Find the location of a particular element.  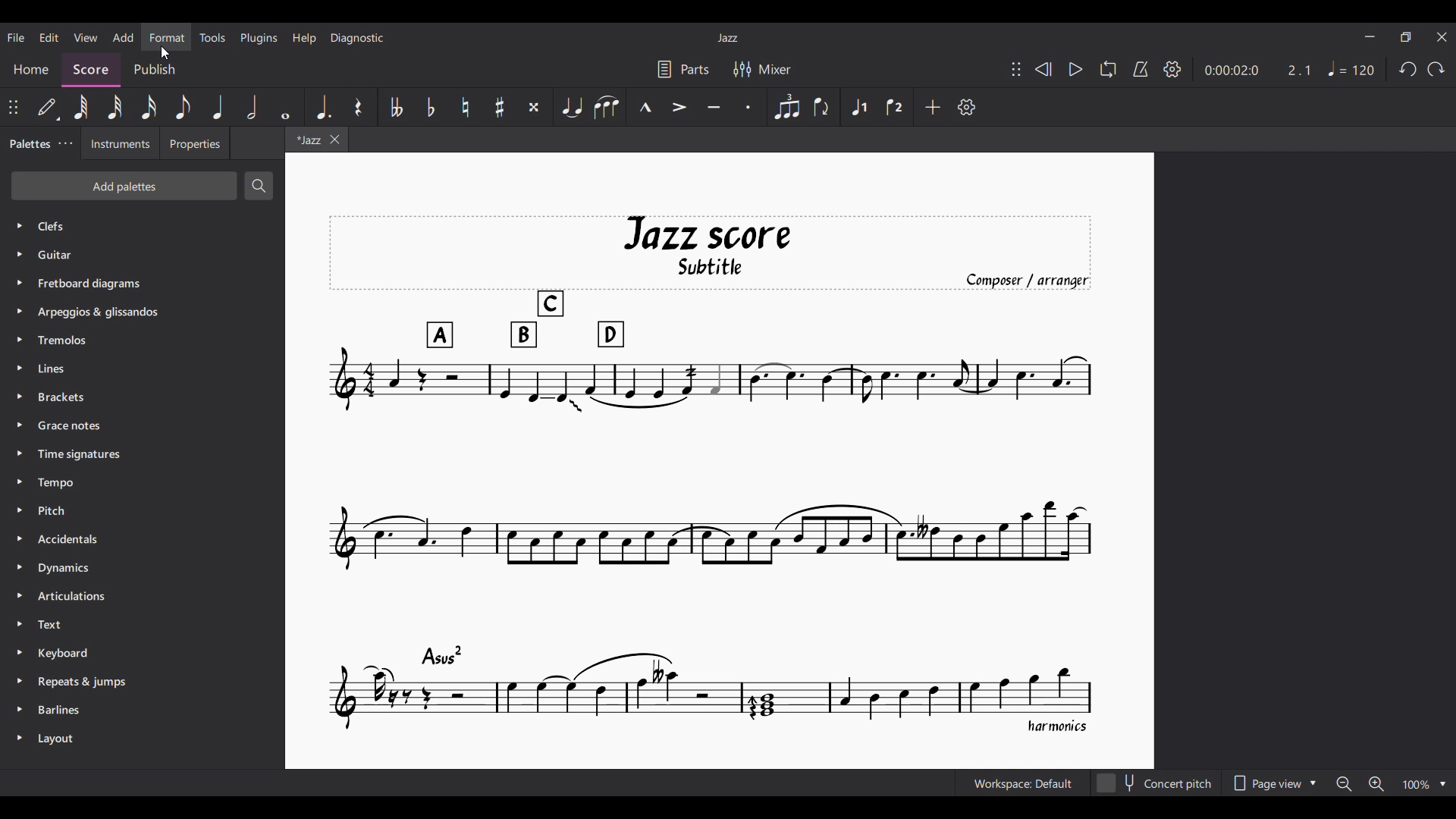

Time is located at coordinates (83, 456).